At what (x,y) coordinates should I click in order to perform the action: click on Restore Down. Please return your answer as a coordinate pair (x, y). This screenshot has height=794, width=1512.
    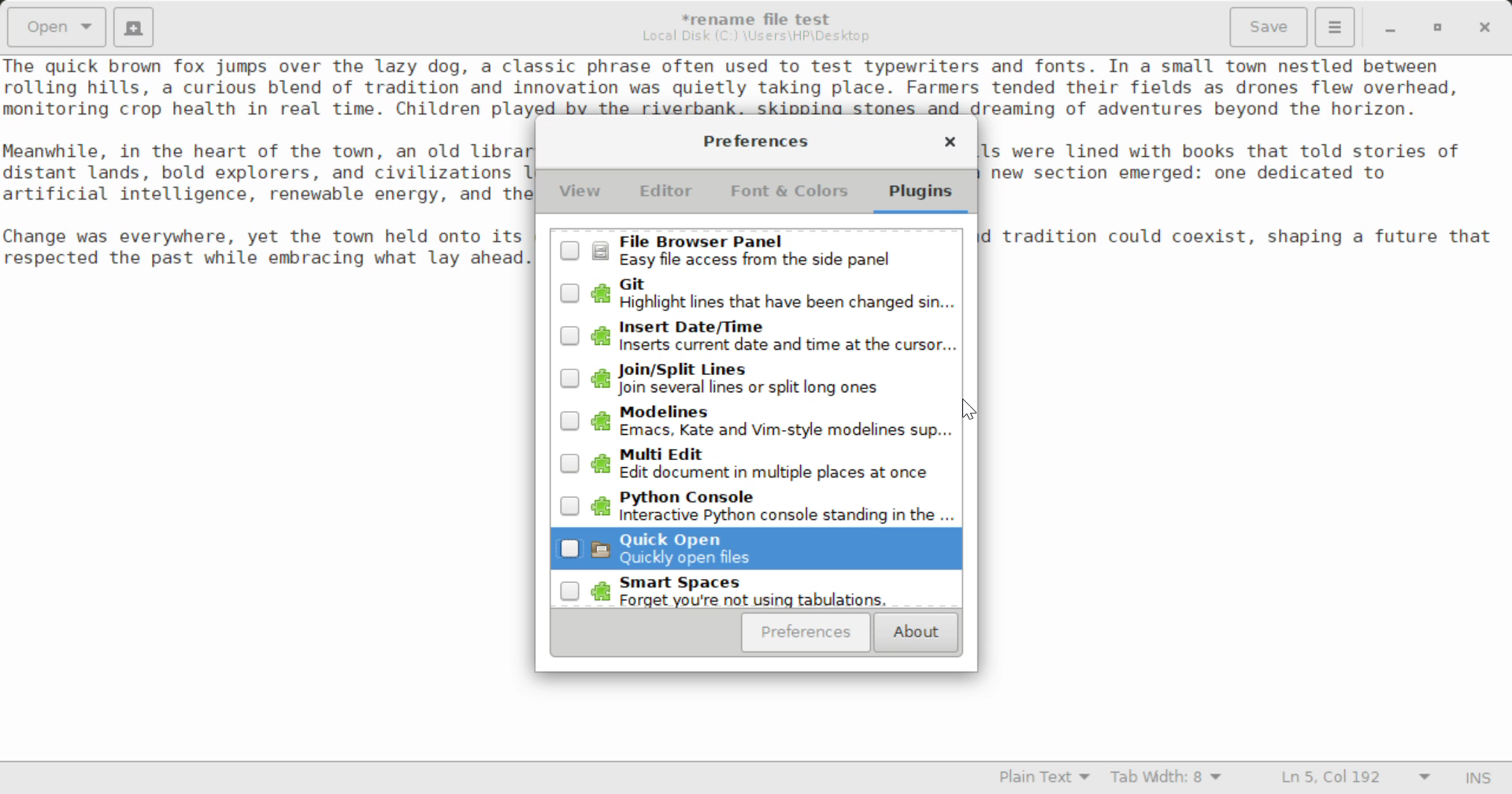
    Looking at the image, I should click on (1388, 28).